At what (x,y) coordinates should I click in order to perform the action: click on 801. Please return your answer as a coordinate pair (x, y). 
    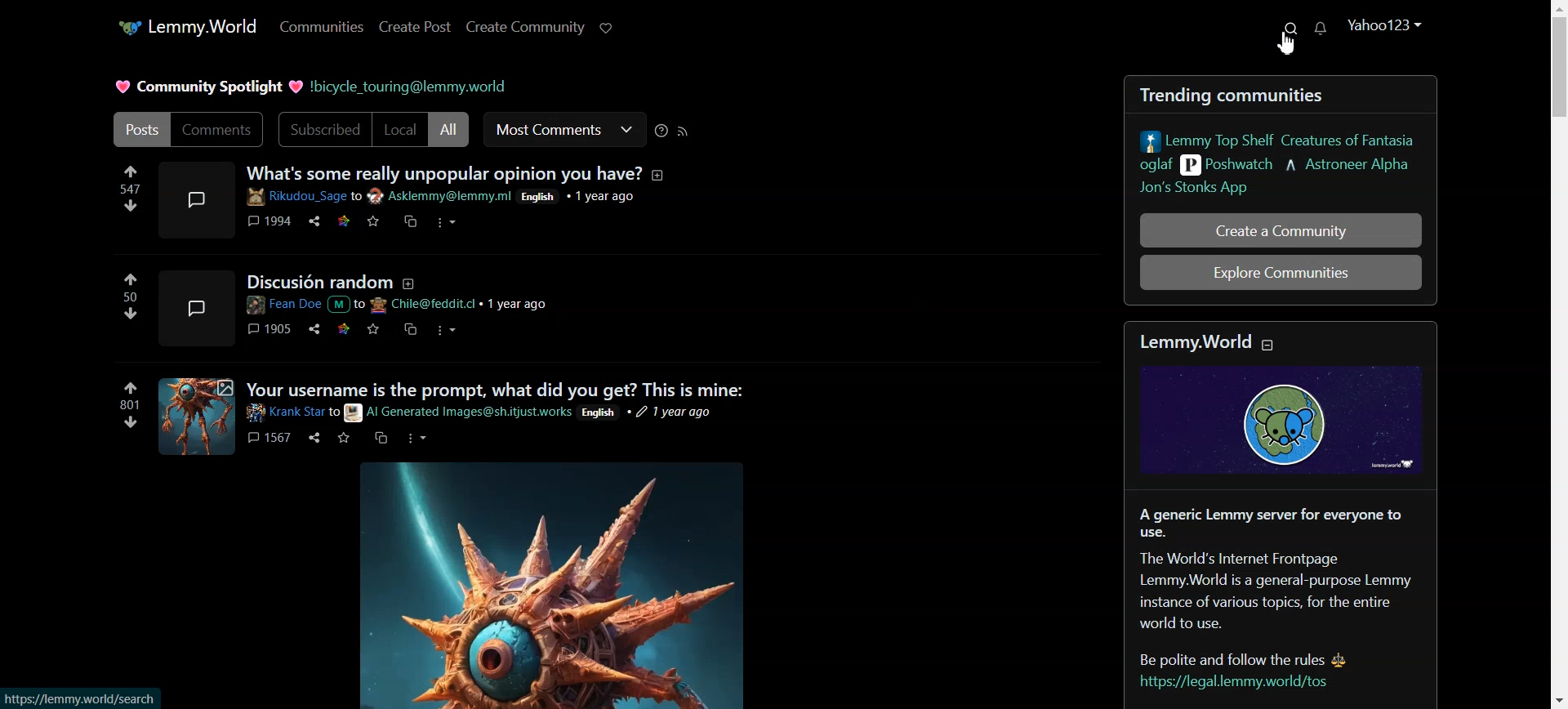
    Looking at the image, I should click on (129, 407).